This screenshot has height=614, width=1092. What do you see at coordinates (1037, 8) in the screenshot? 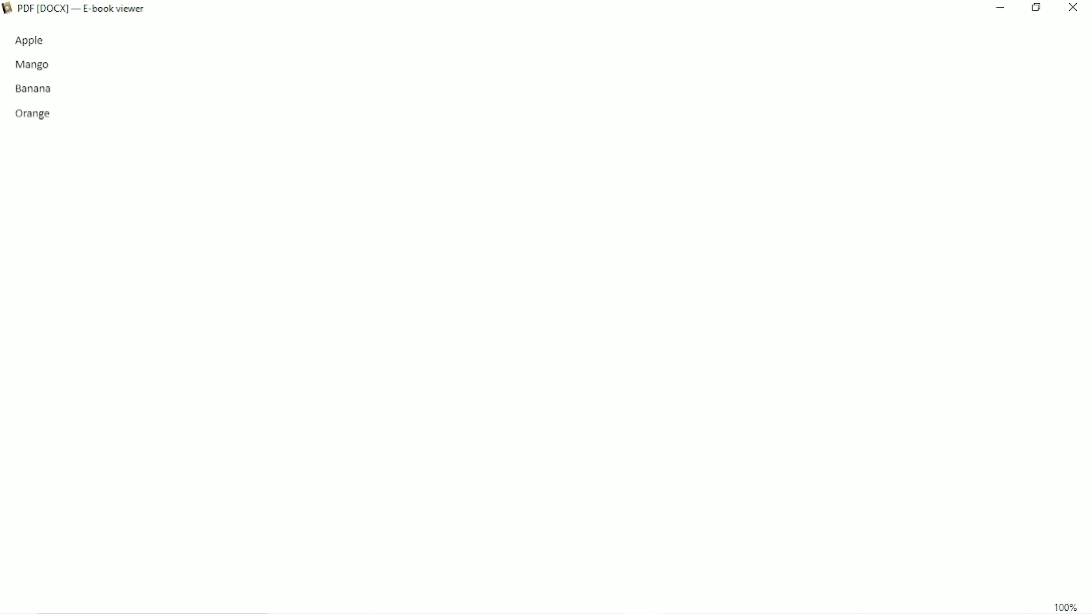
I see `Restore down` at bounding box center [1037, 8].